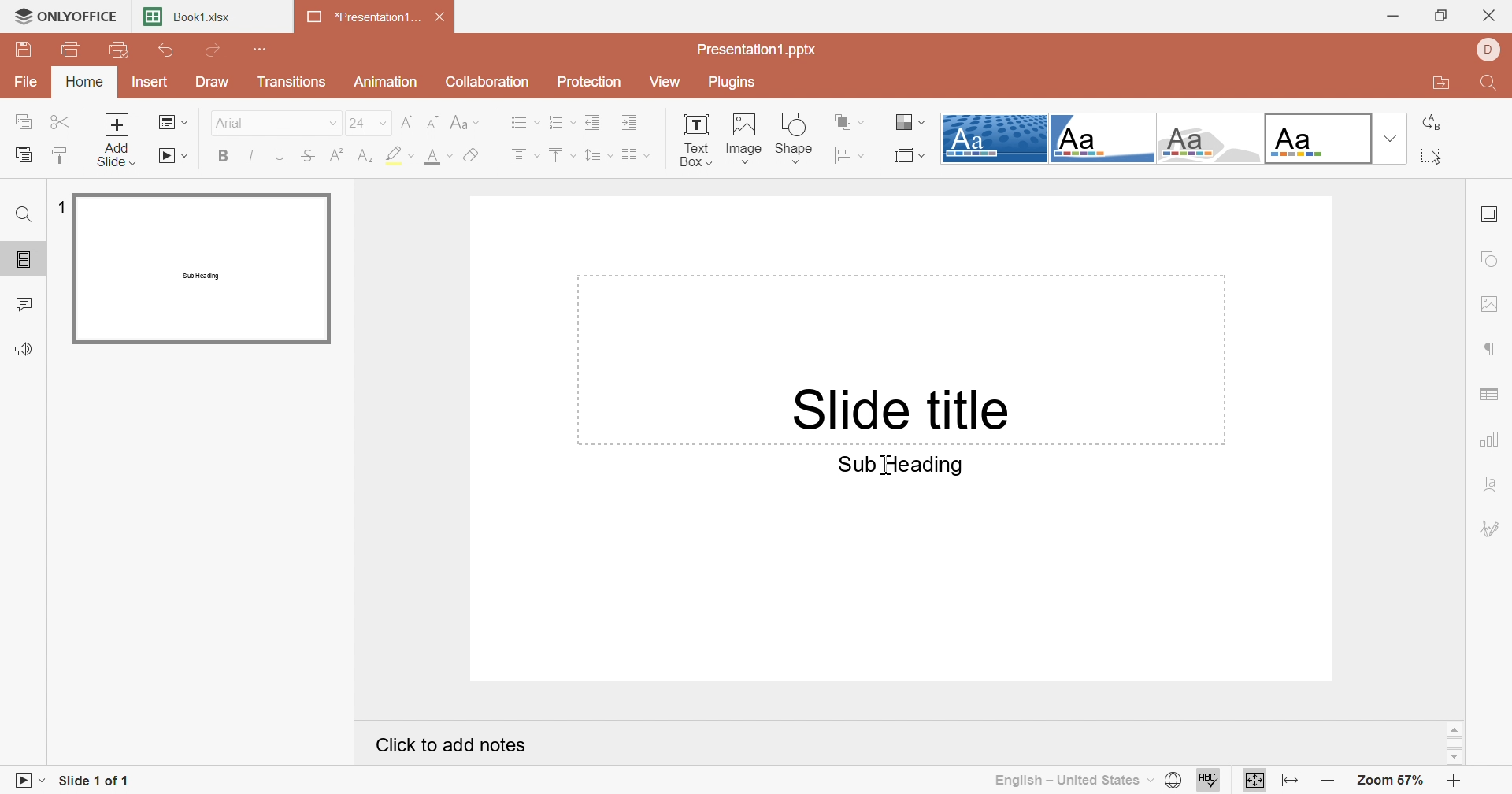  I want to click on Chart settings, so click(1489, 442).